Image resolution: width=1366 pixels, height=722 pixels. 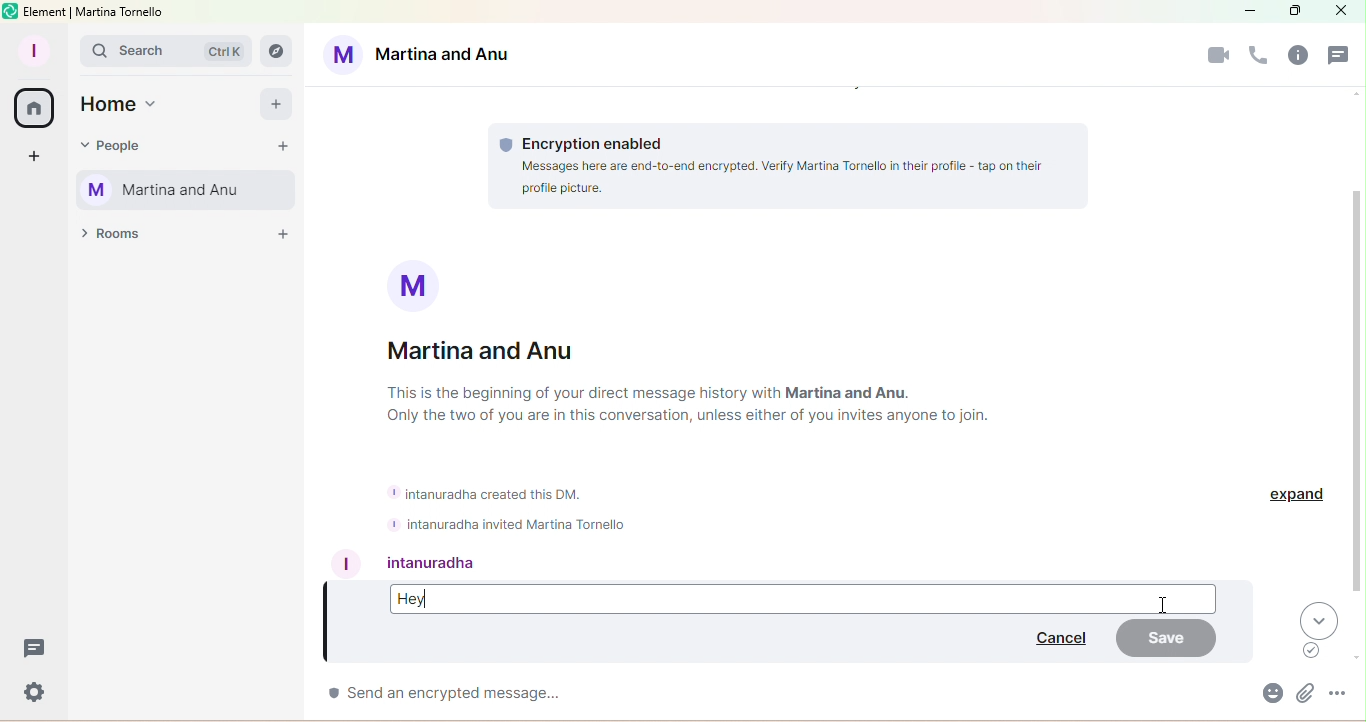 I want to click on Only the two of you are in this conversation, unless either of you invites anyone to join., so click(x=705, y=418).